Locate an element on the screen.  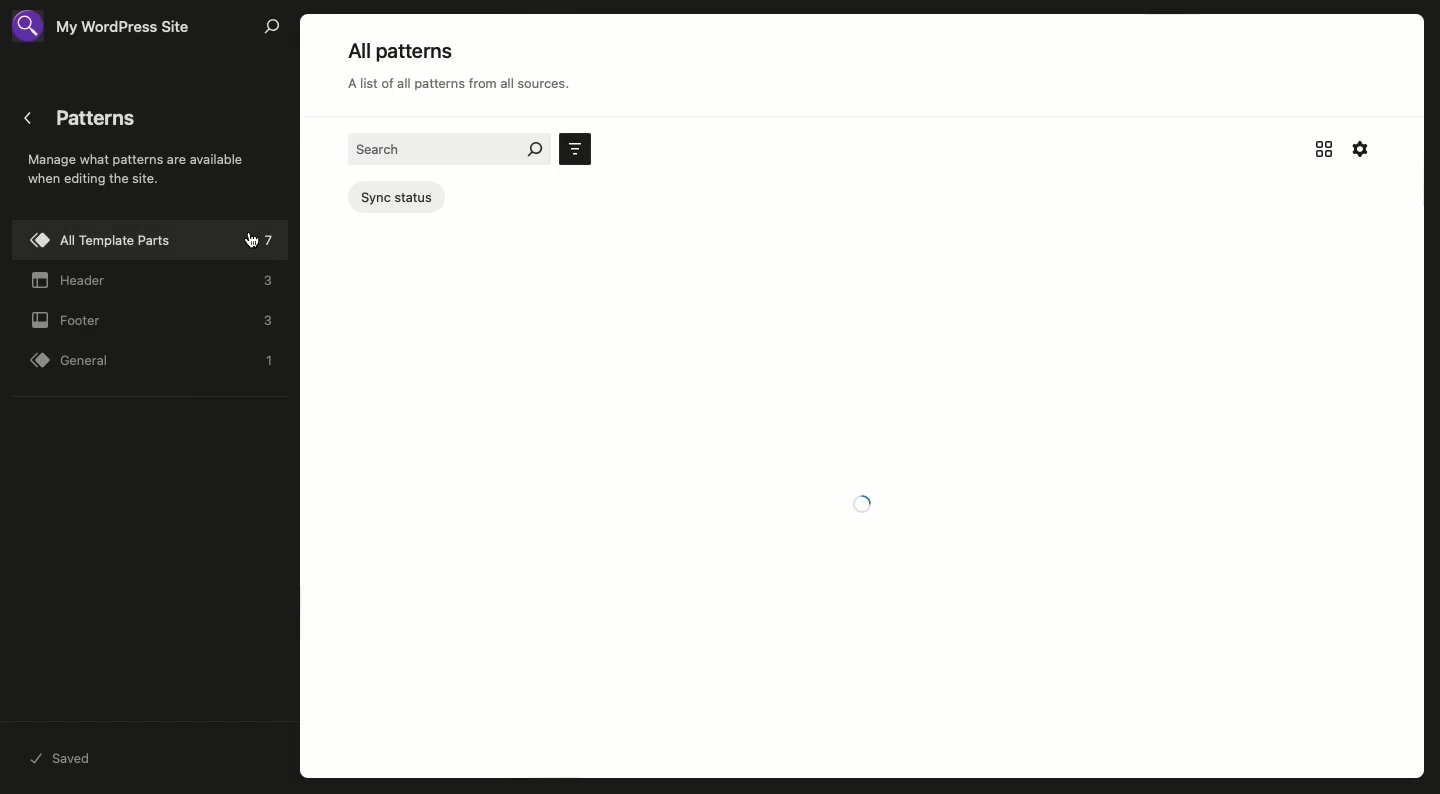
Header is located at coordinates (154, 283).